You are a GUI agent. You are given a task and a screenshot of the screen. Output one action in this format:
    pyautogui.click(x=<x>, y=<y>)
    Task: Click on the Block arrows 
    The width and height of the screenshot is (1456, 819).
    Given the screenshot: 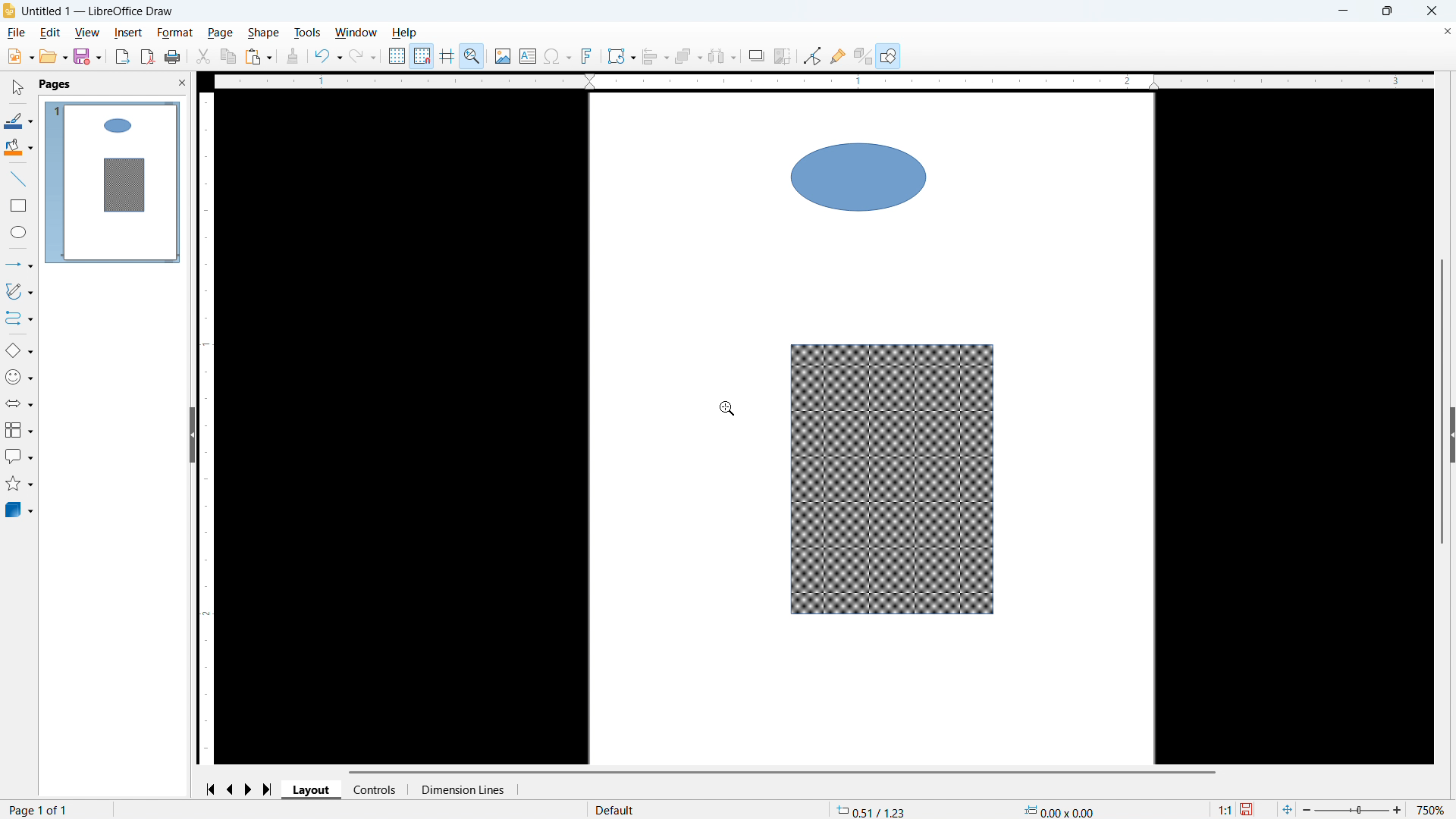 What is the action you would take?
    pyautogui.click(x=19, y=403)
    